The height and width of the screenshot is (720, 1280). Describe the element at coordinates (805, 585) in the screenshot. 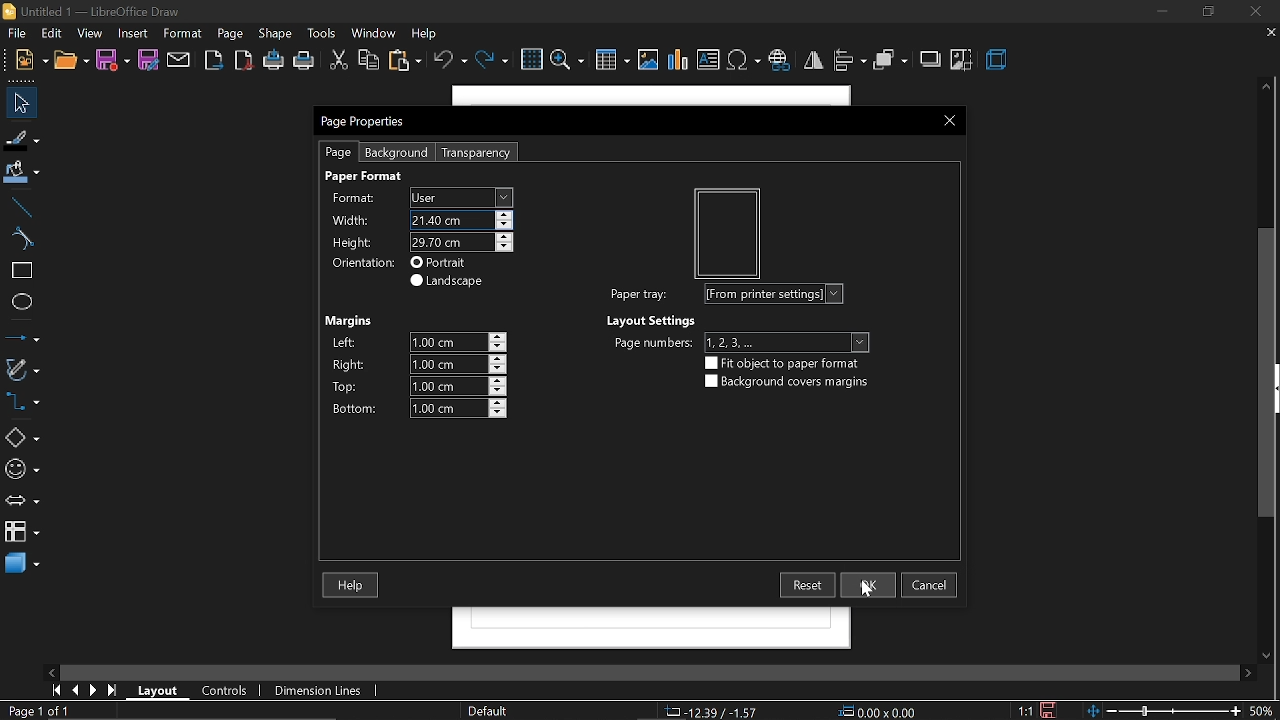

I see `reset` at that location.